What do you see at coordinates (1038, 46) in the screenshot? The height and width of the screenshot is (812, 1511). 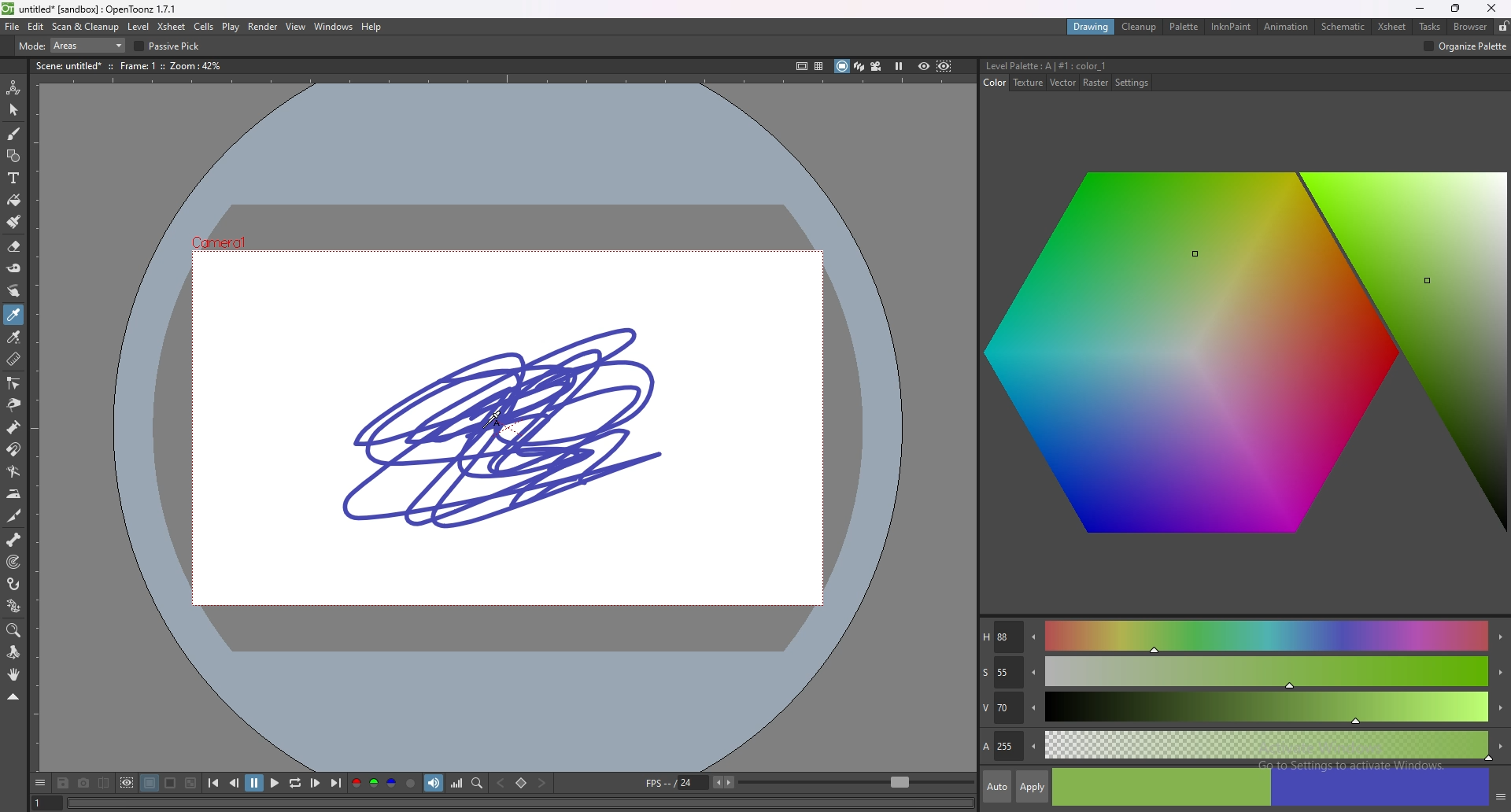 I see `y` at bounding box center [1038, 46].